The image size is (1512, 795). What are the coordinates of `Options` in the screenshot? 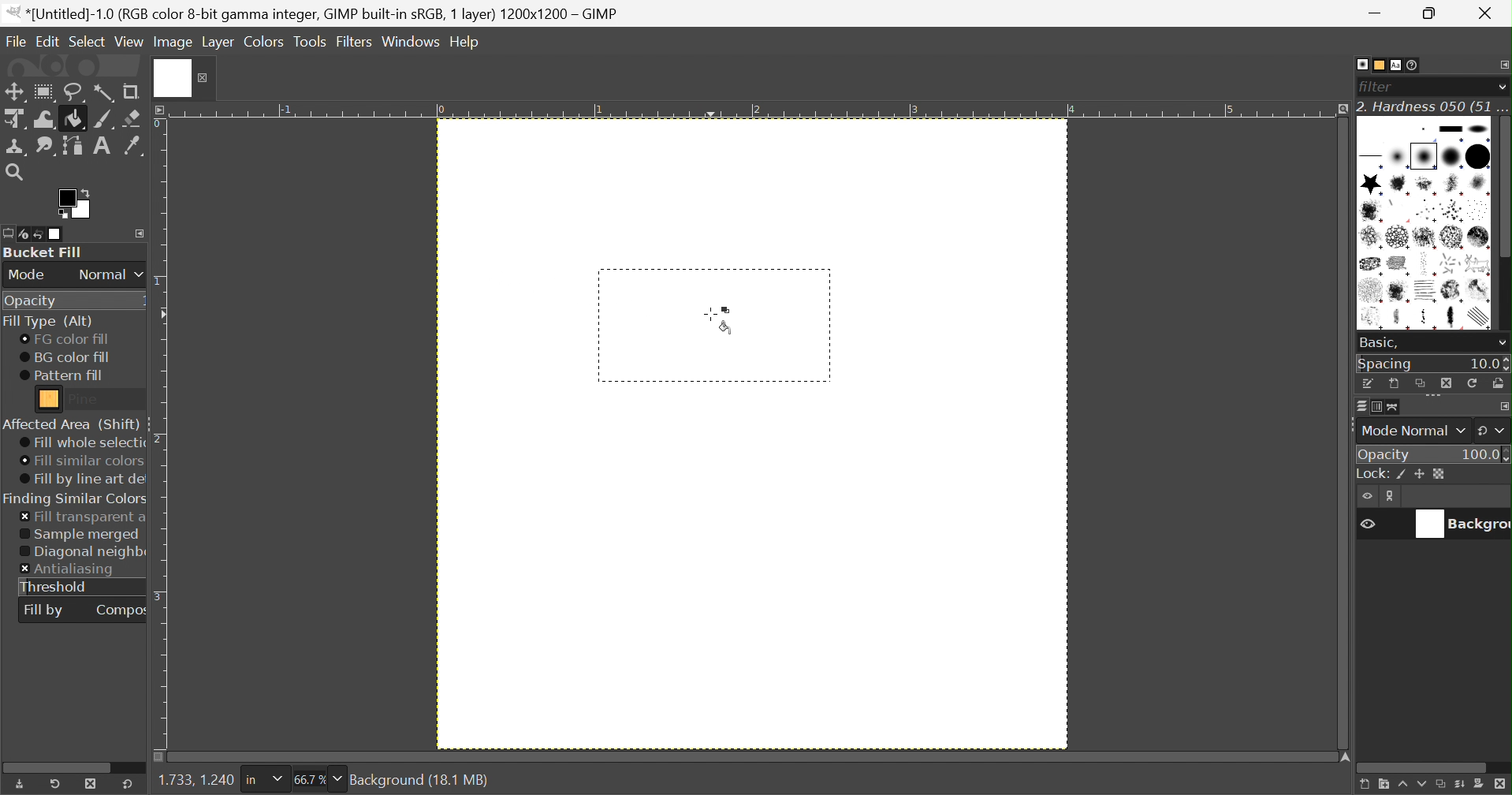 It's located at (1501, 345).